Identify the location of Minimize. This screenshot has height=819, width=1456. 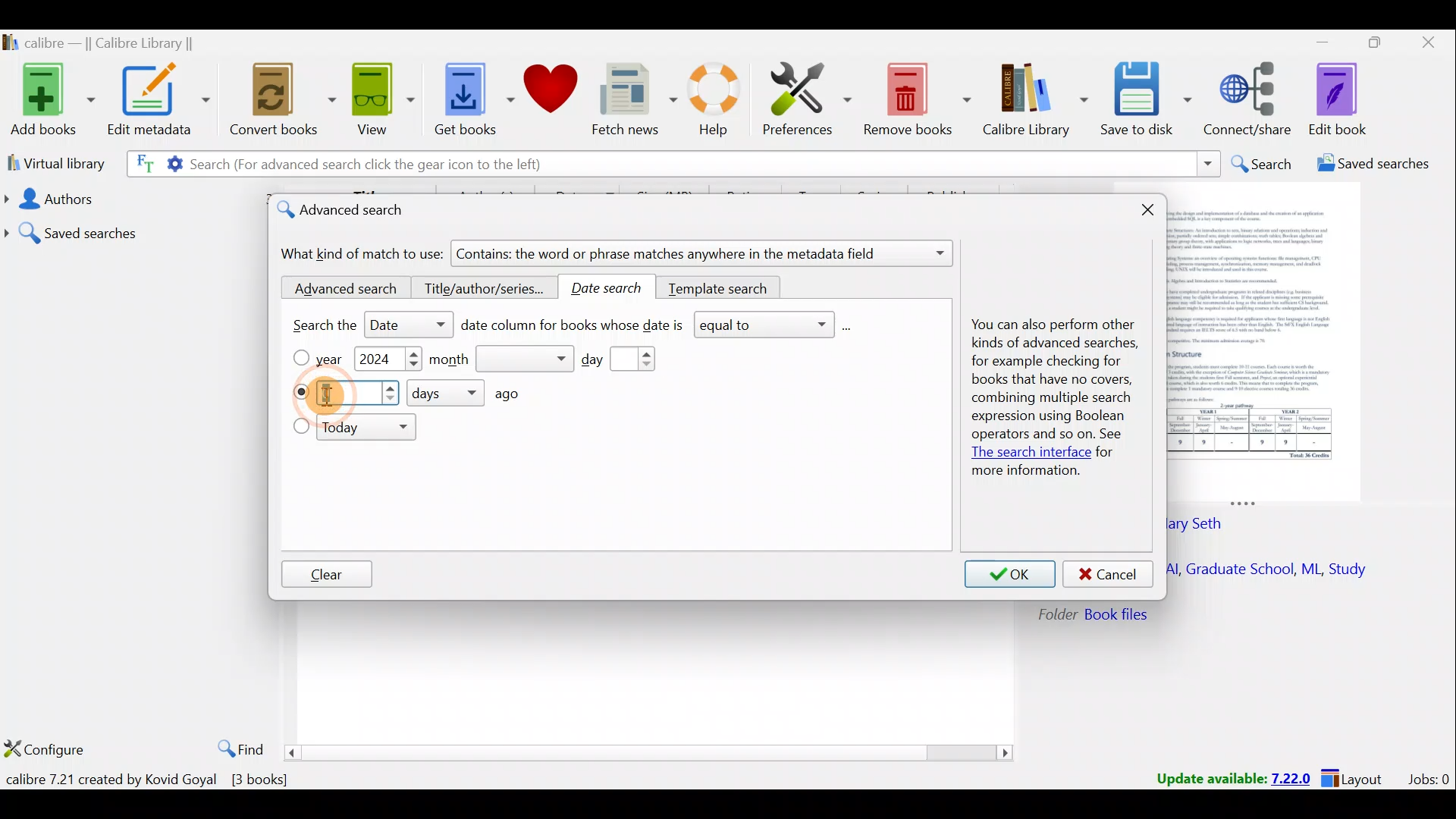
(1314, 42).